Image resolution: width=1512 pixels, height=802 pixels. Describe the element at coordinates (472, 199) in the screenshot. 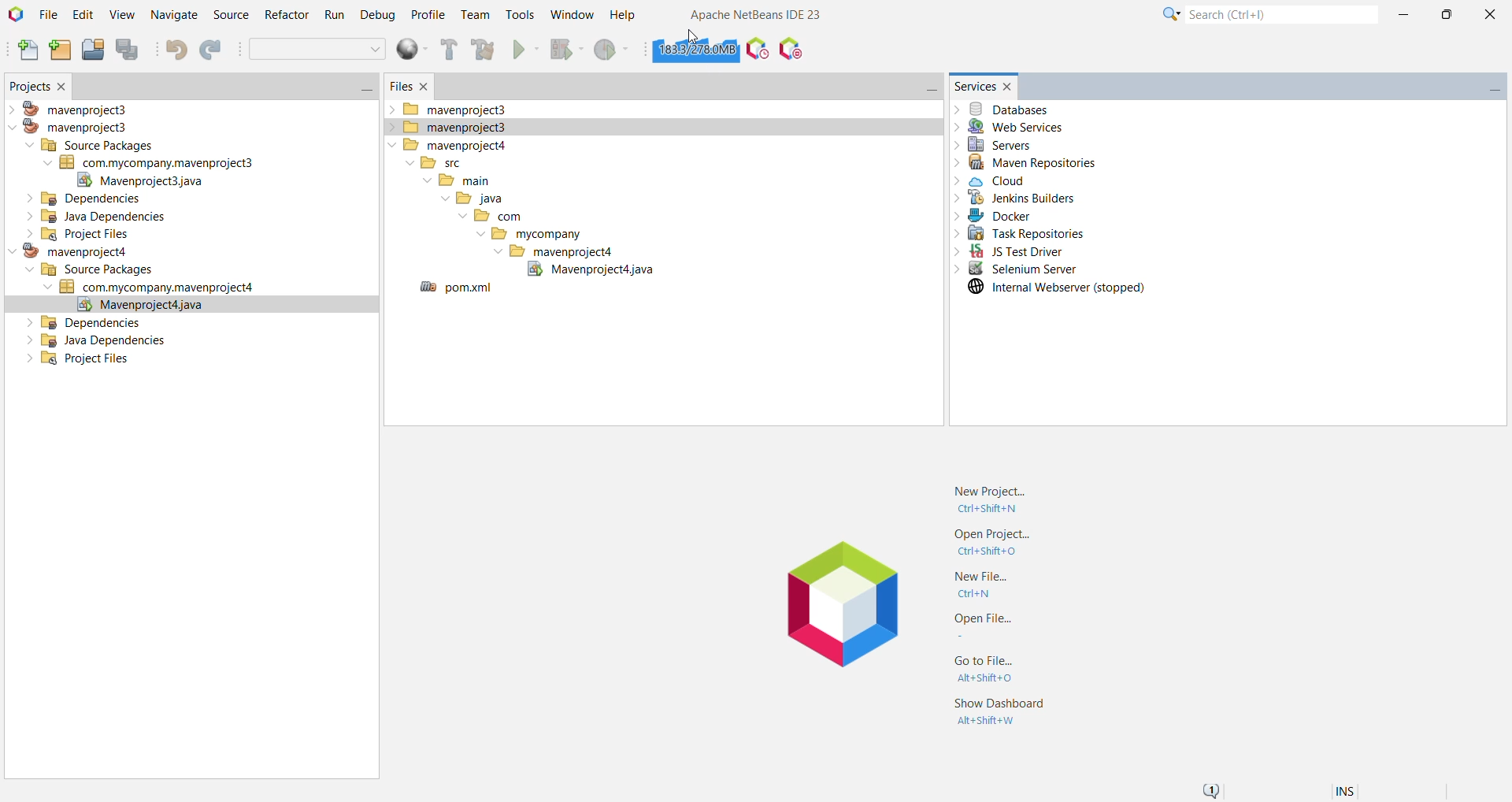

I see `java` at that location.